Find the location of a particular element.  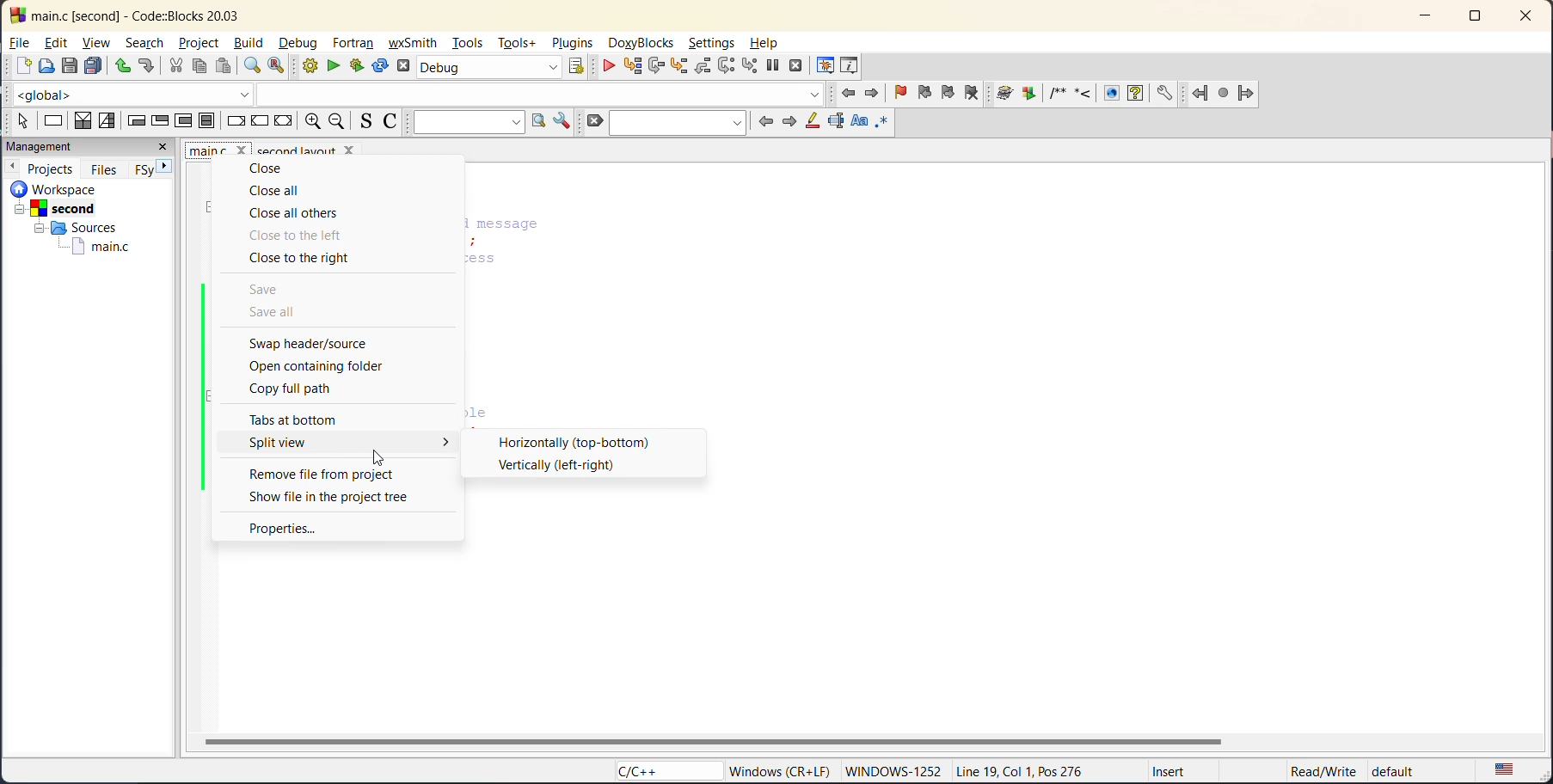

jump backword is located at coordinates (1200, 91).